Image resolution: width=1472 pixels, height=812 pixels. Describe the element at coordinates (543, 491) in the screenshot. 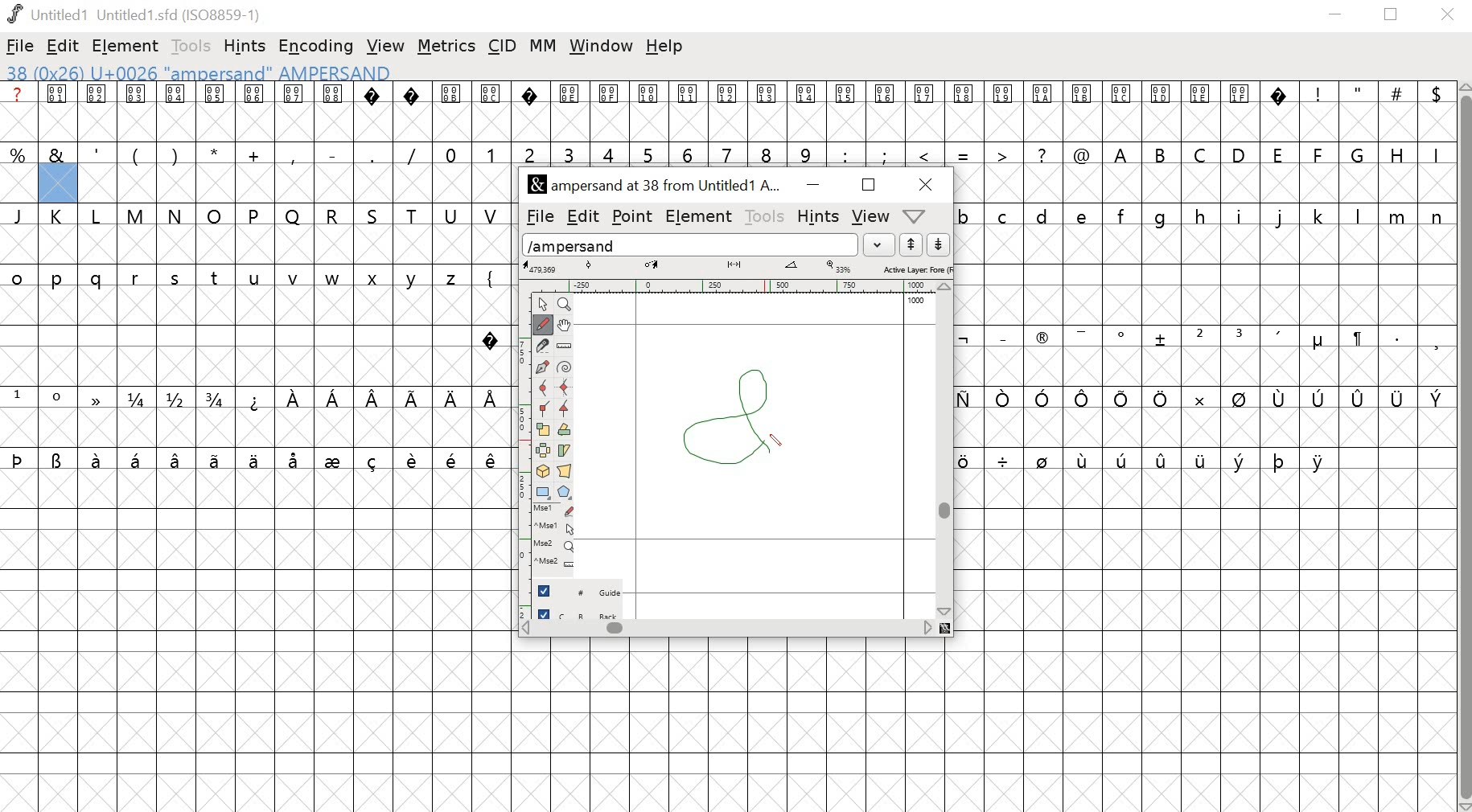

I see `rectangle and ellipse` at that location.